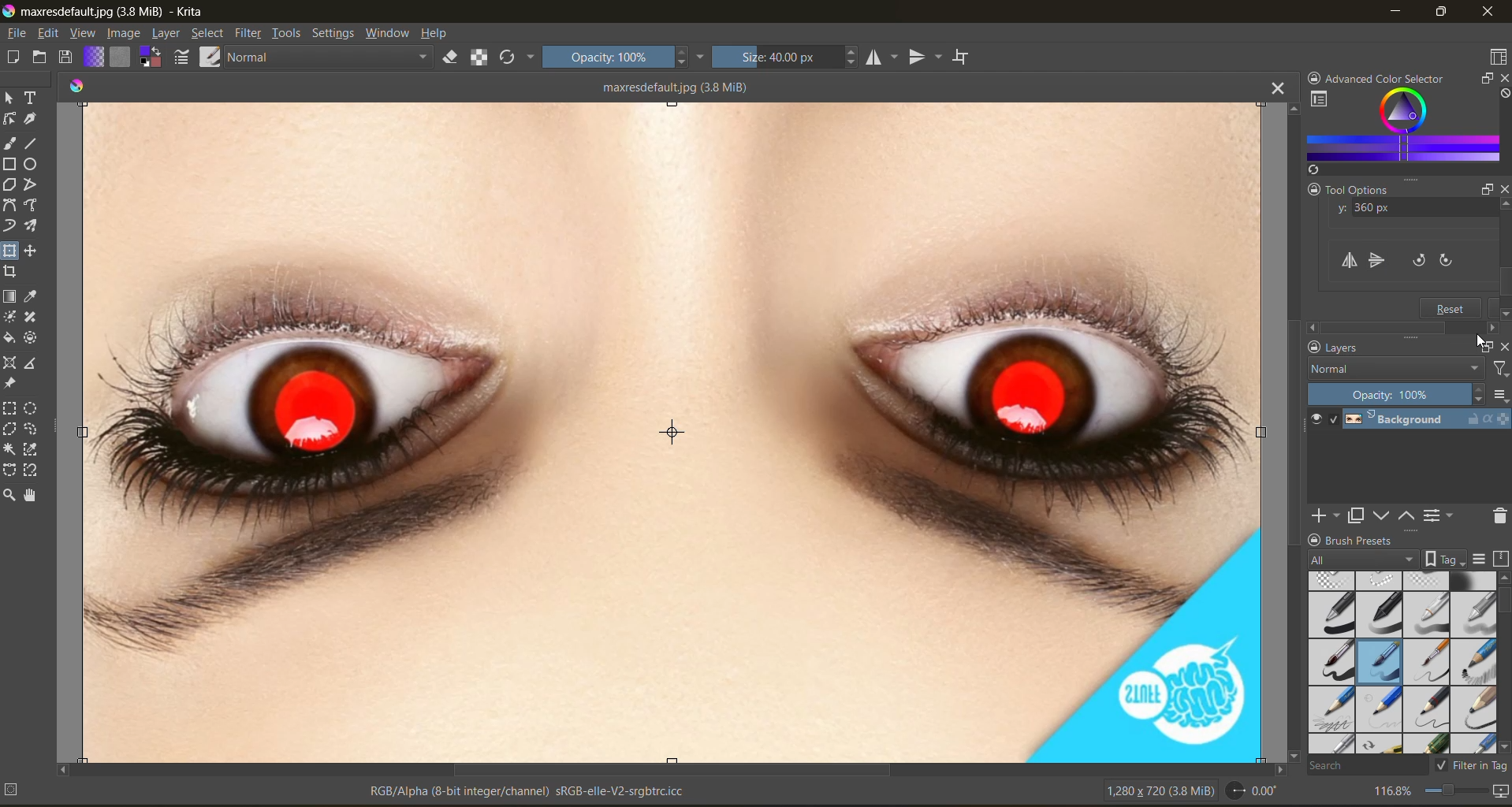 The height and width of the screenshot is (807, 1512). Describe the element at coordinates (11, 430) in the screenshot. I see `tool` at that location.